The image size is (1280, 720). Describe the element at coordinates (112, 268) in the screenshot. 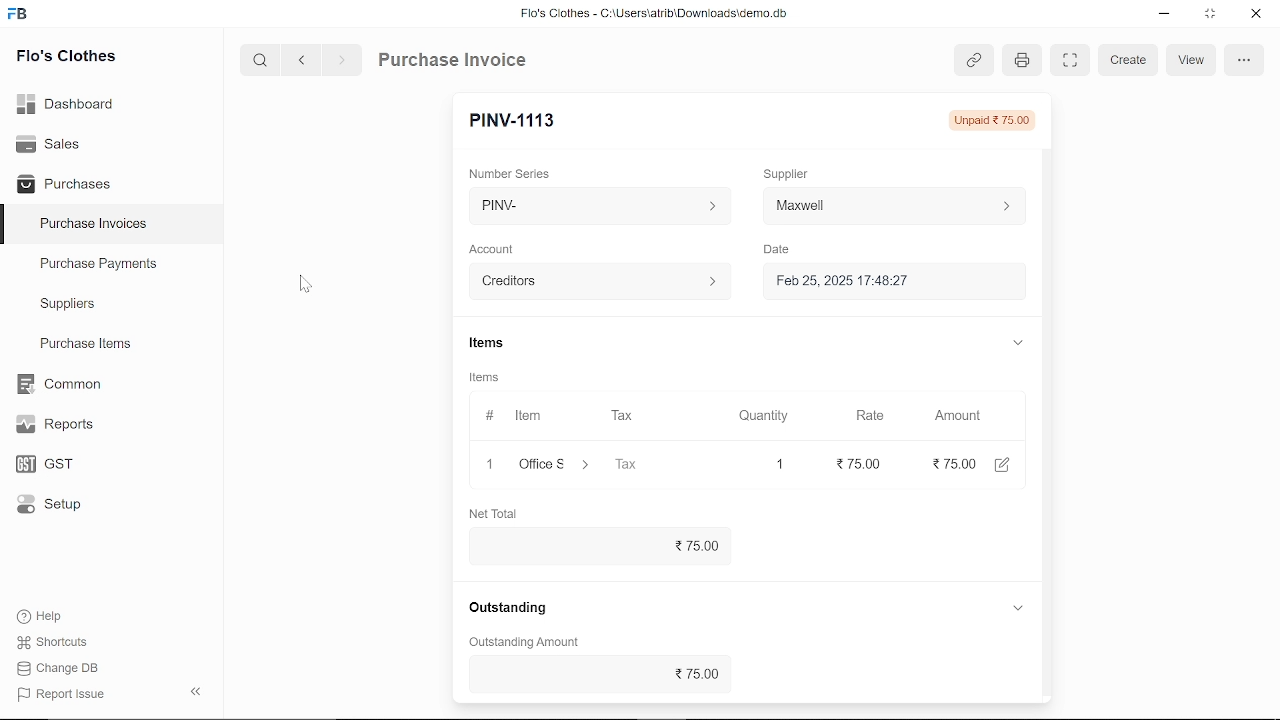

I see `Purchase Payments` at that location.